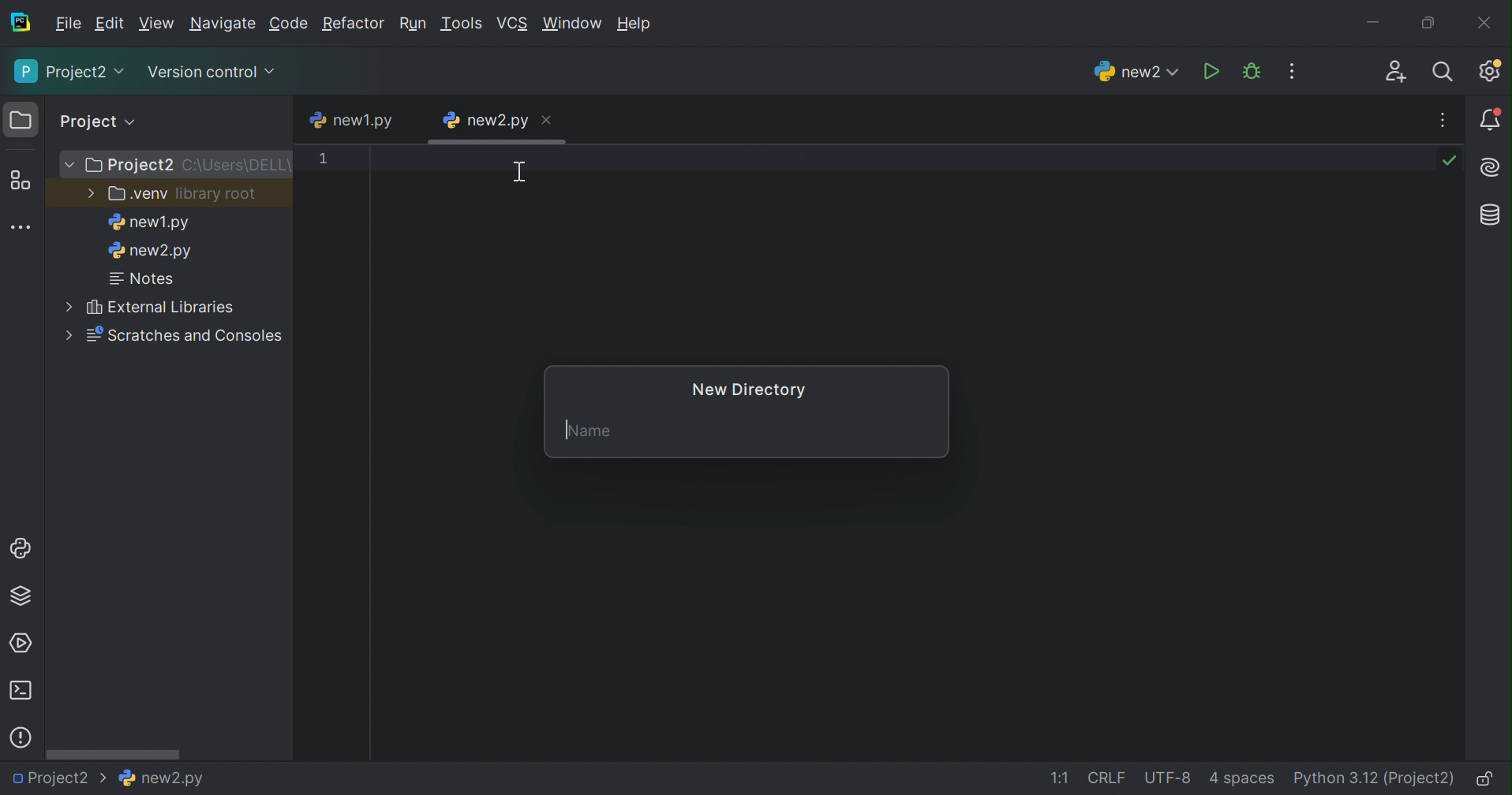 This screenshot has width=1512, height=795. What do you see at coordinates (1294, 70) in the screenshot?
I see `More actions` at bounding box center [1294, 70].